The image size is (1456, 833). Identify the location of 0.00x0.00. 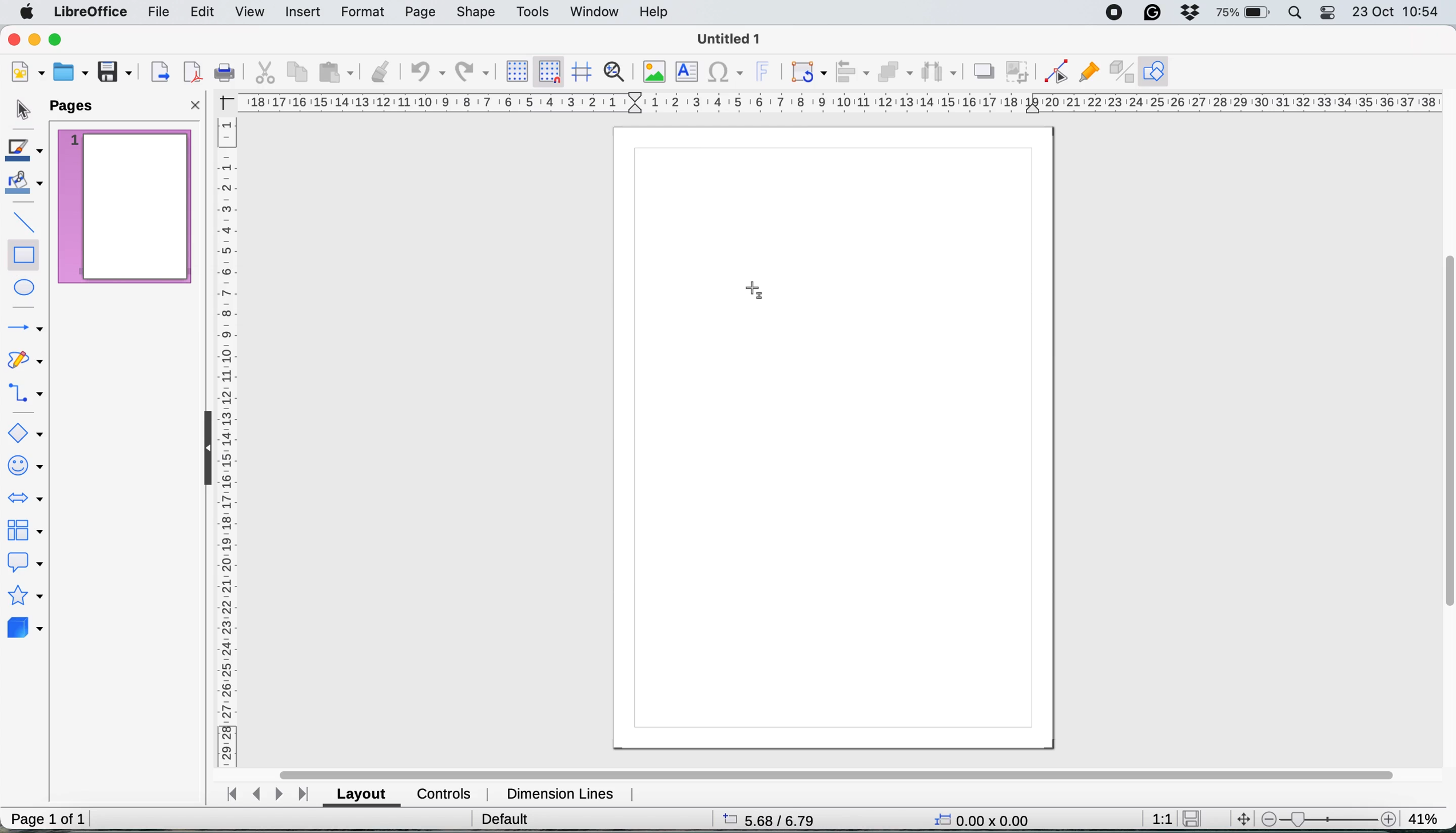
(982, 818).